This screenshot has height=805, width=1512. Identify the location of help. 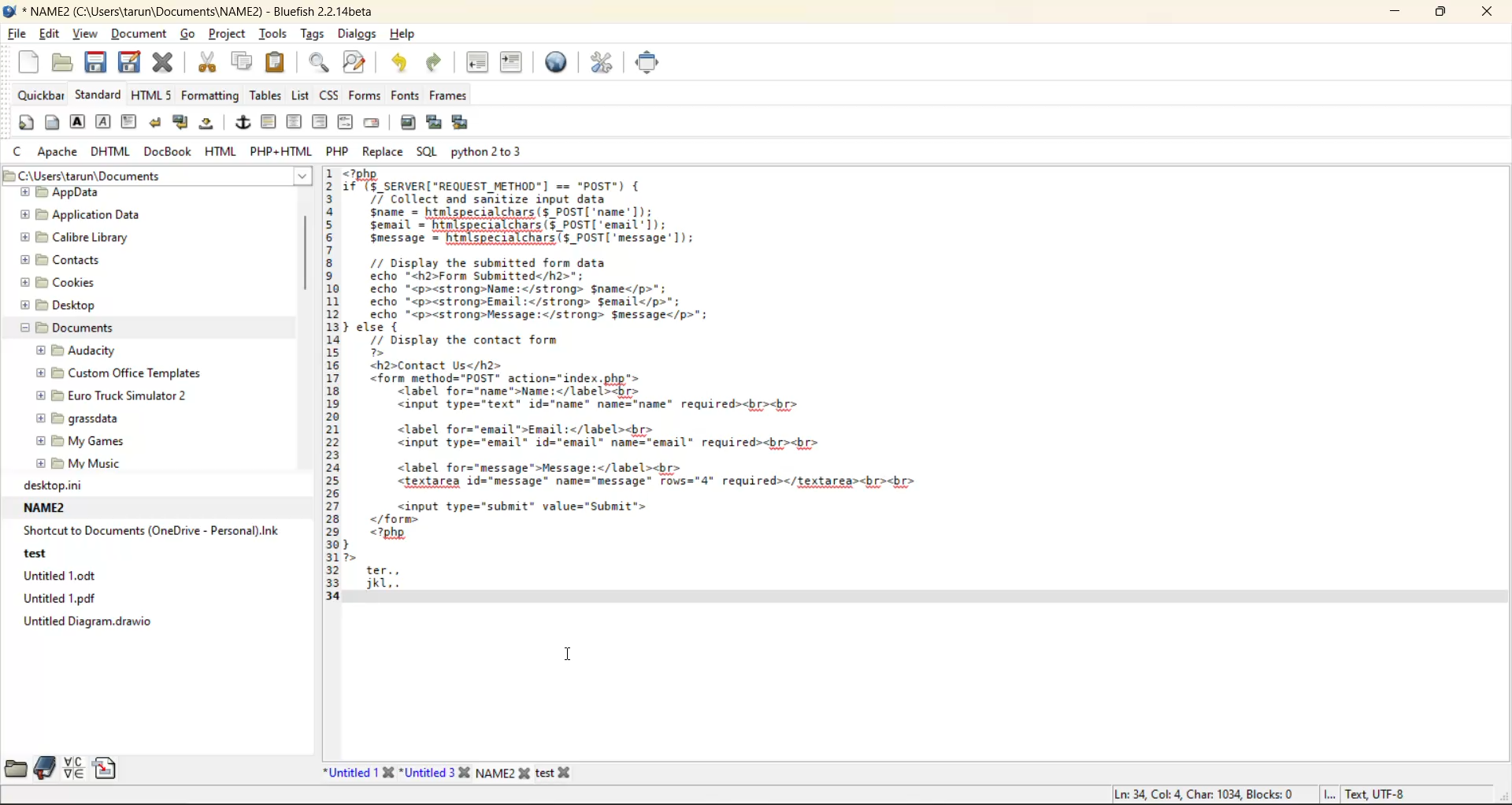
(400, 35).